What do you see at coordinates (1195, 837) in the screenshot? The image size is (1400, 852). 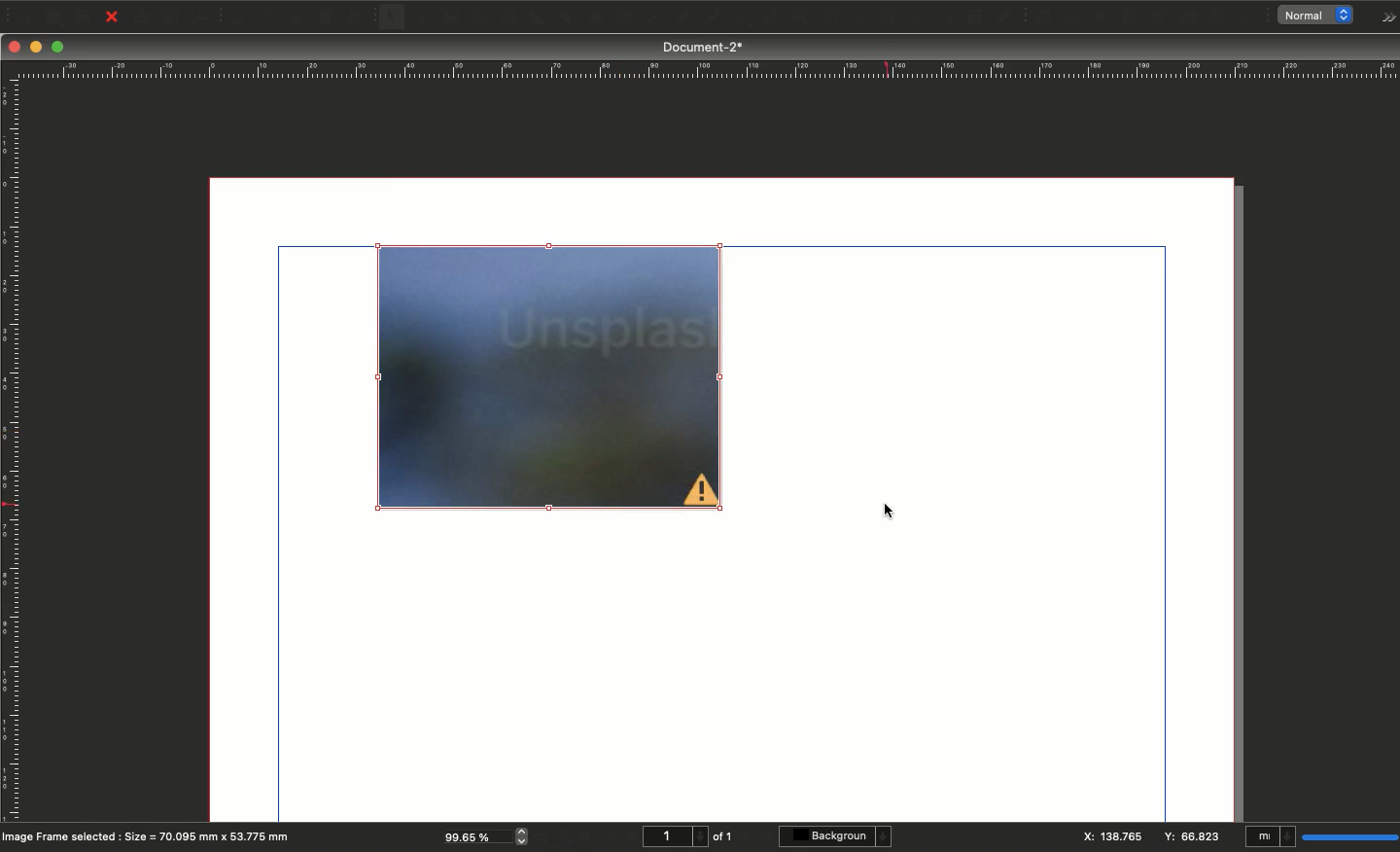 I see `Y: 66.823` at bounding box center [1195, 837].